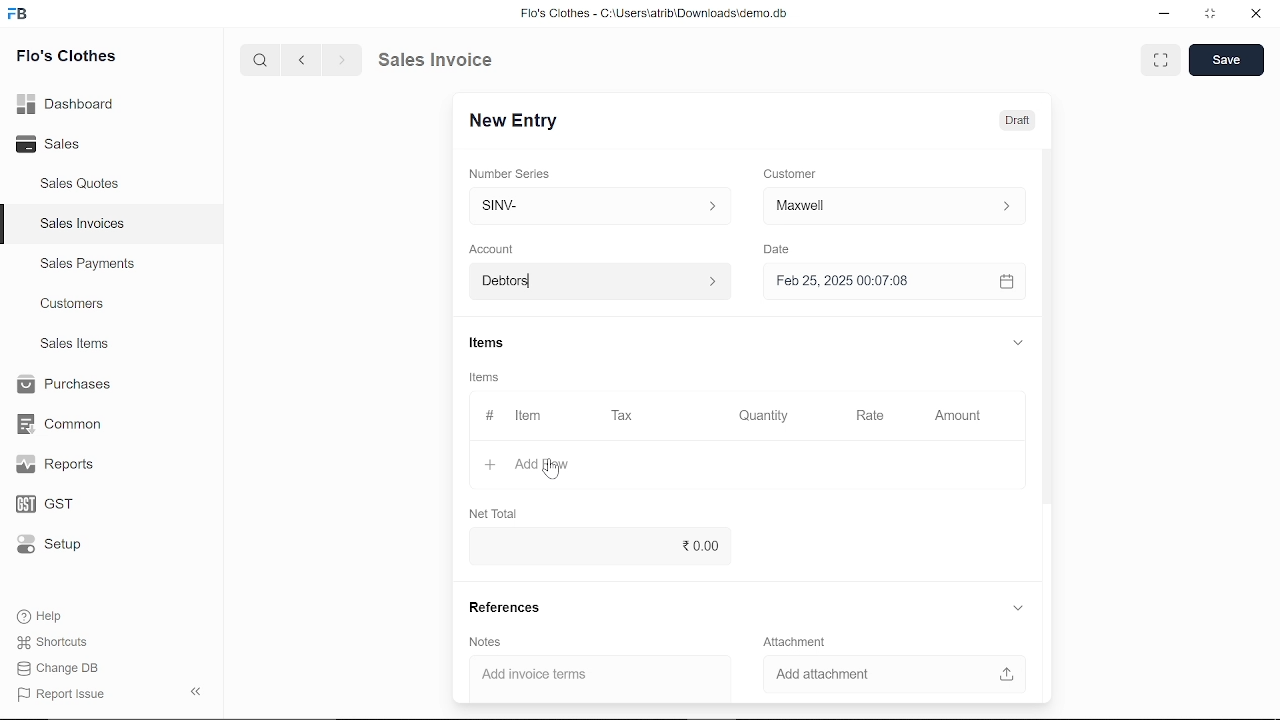 This screenshot has height=720, width=1280. What do you see at coordinates (487, 376) in the screenshot?
I see `Items` at bounding box center [487, 376].